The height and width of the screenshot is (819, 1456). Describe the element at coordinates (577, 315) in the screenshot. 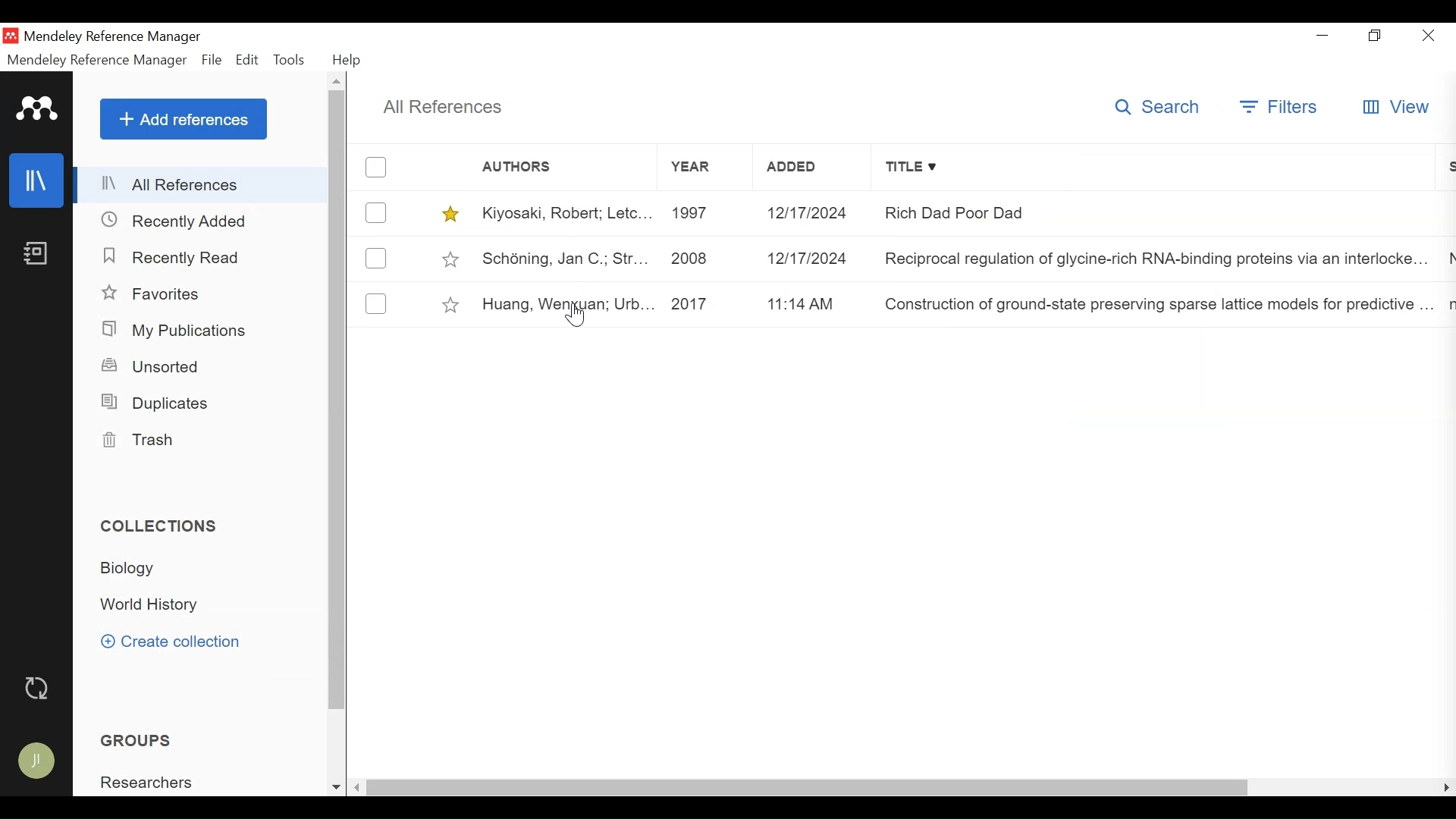

I see `Cursor` at that location.